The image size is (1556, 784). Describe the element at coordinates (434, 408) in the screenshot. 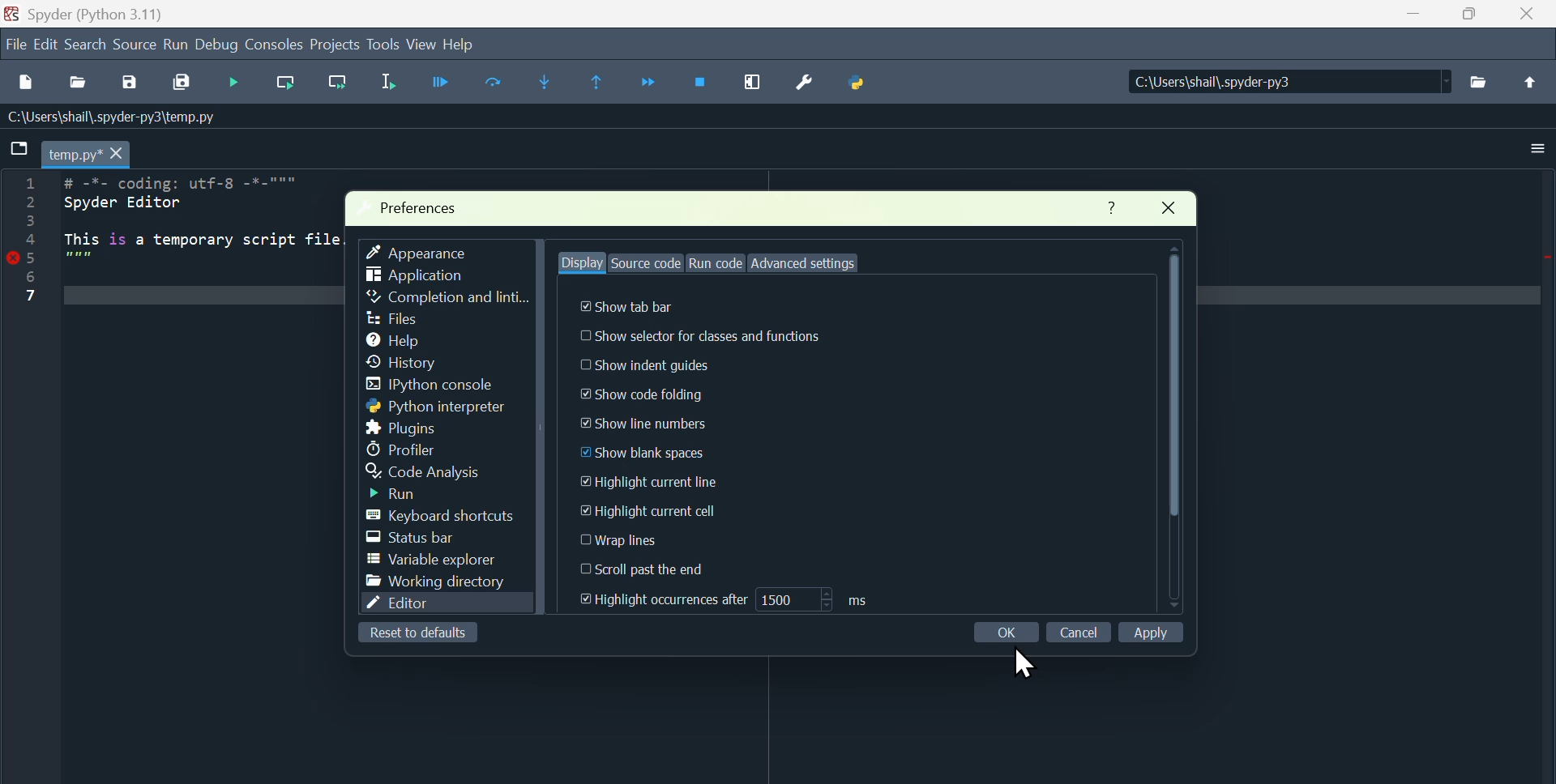

I see `Python interpreter` at that location.